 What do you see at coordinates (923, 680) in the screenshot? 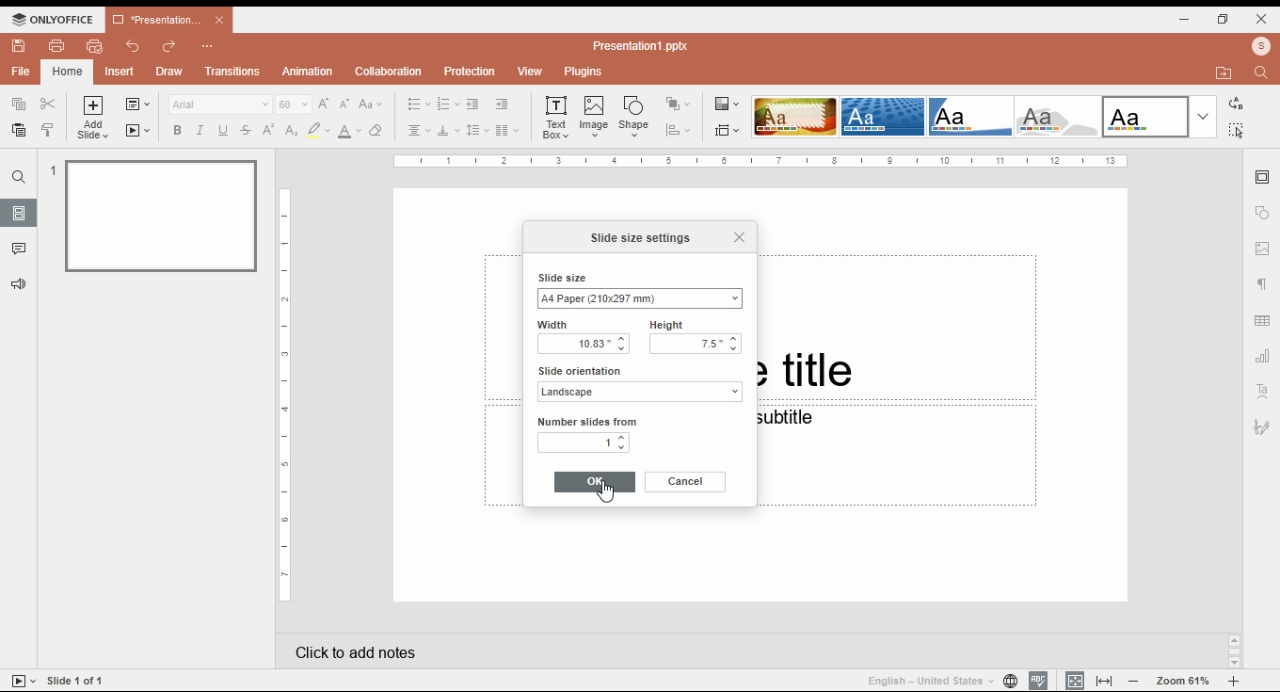
I see `English - United States` at bounding box center [923, 680].